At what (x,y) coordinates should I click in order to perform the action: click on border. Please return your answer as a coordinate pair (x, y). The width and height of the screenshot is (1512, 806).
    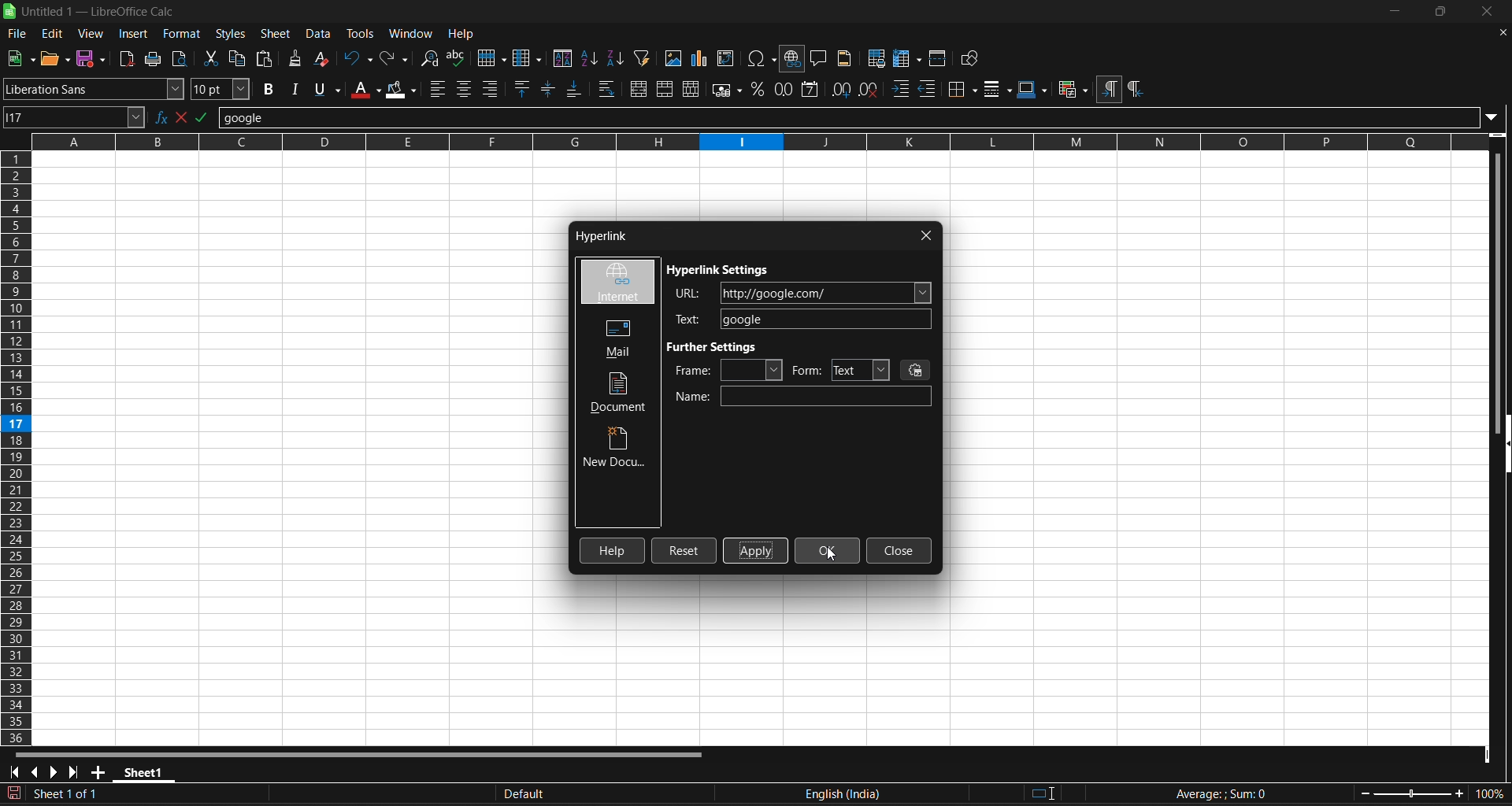
    Looking at the image, I should click on (963, 89).